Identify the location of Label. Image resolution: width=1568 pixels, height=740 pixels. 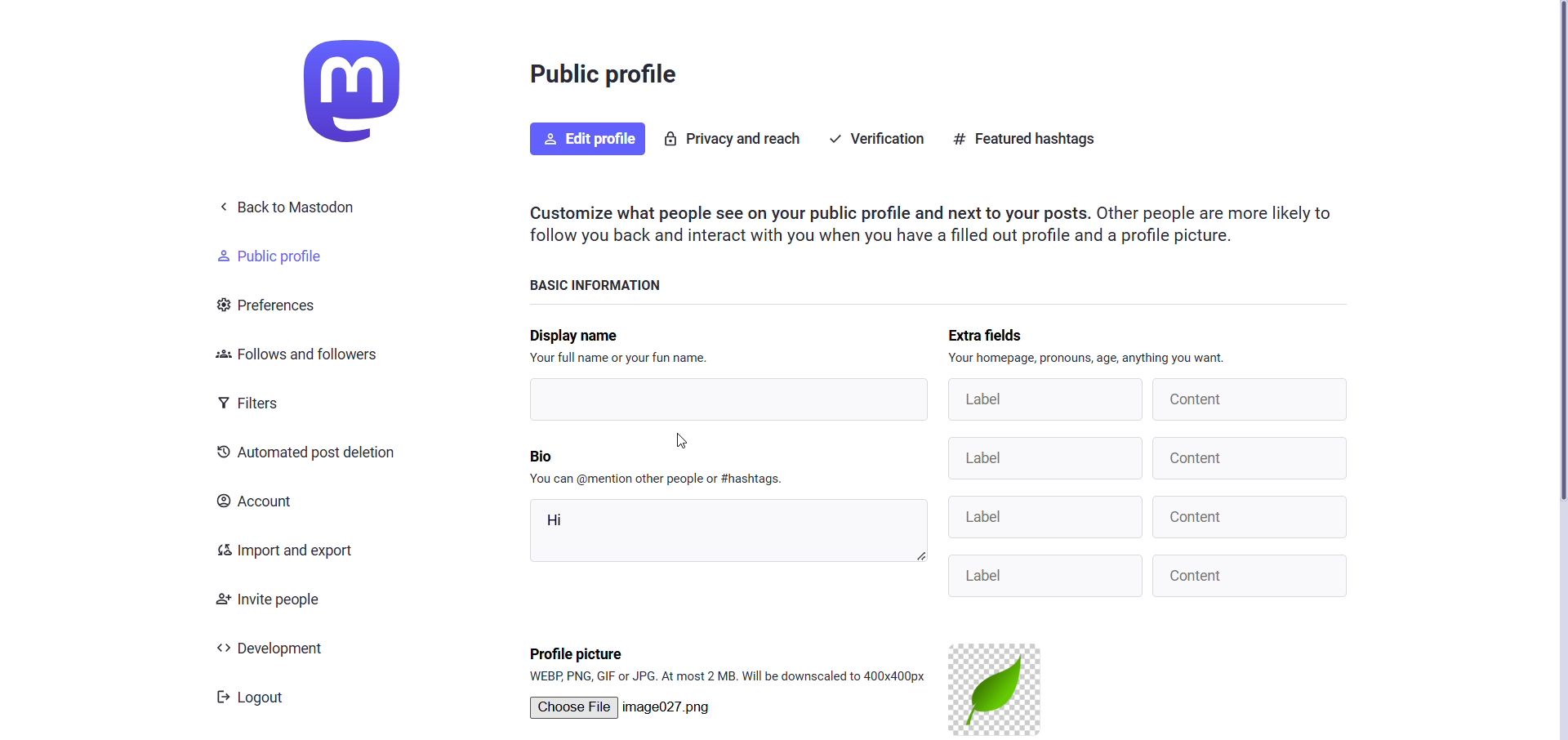
(1049, 574).